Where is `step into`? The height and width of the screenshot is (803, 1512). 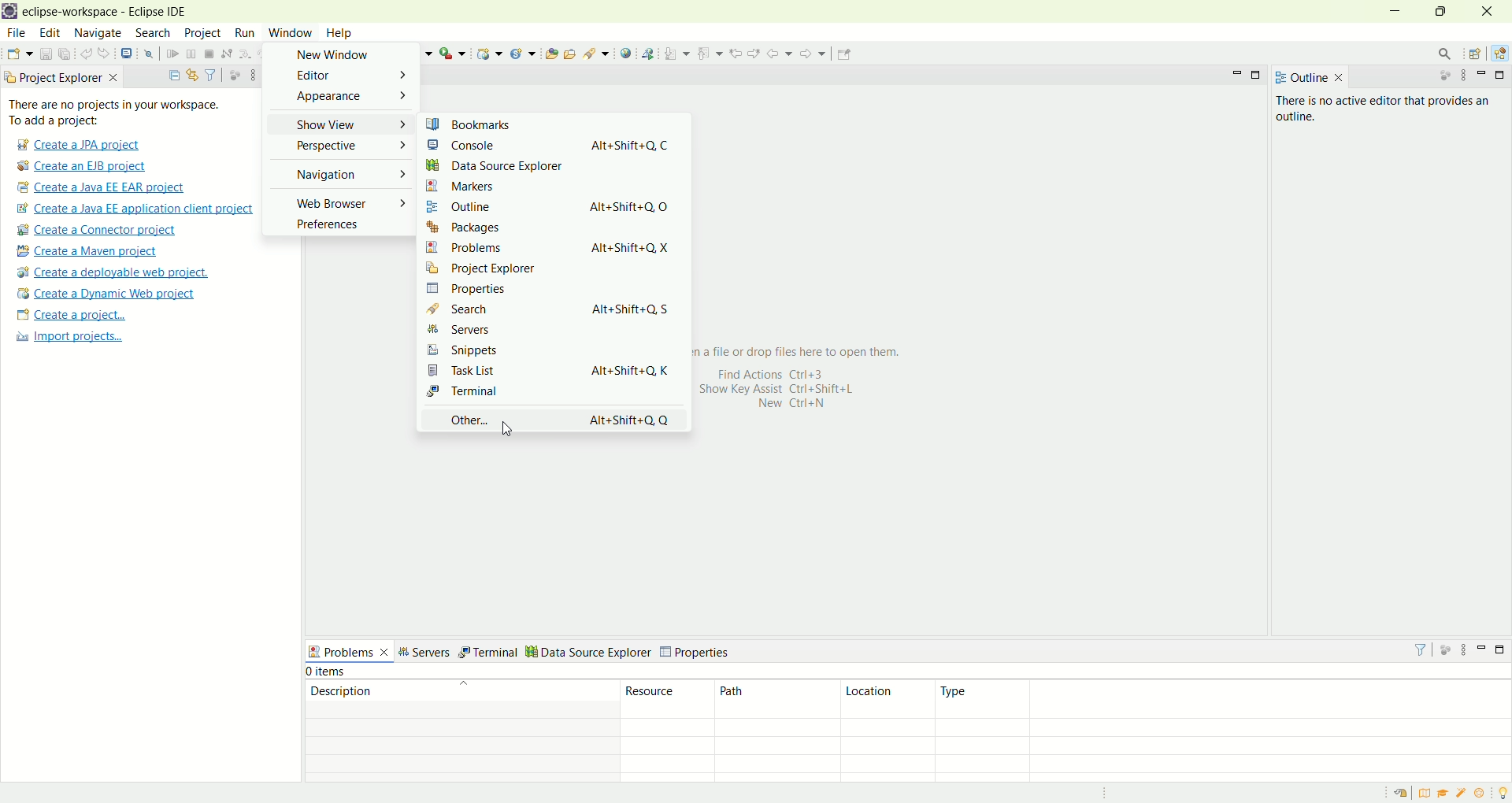
step into is located at coordinates (243, 54).